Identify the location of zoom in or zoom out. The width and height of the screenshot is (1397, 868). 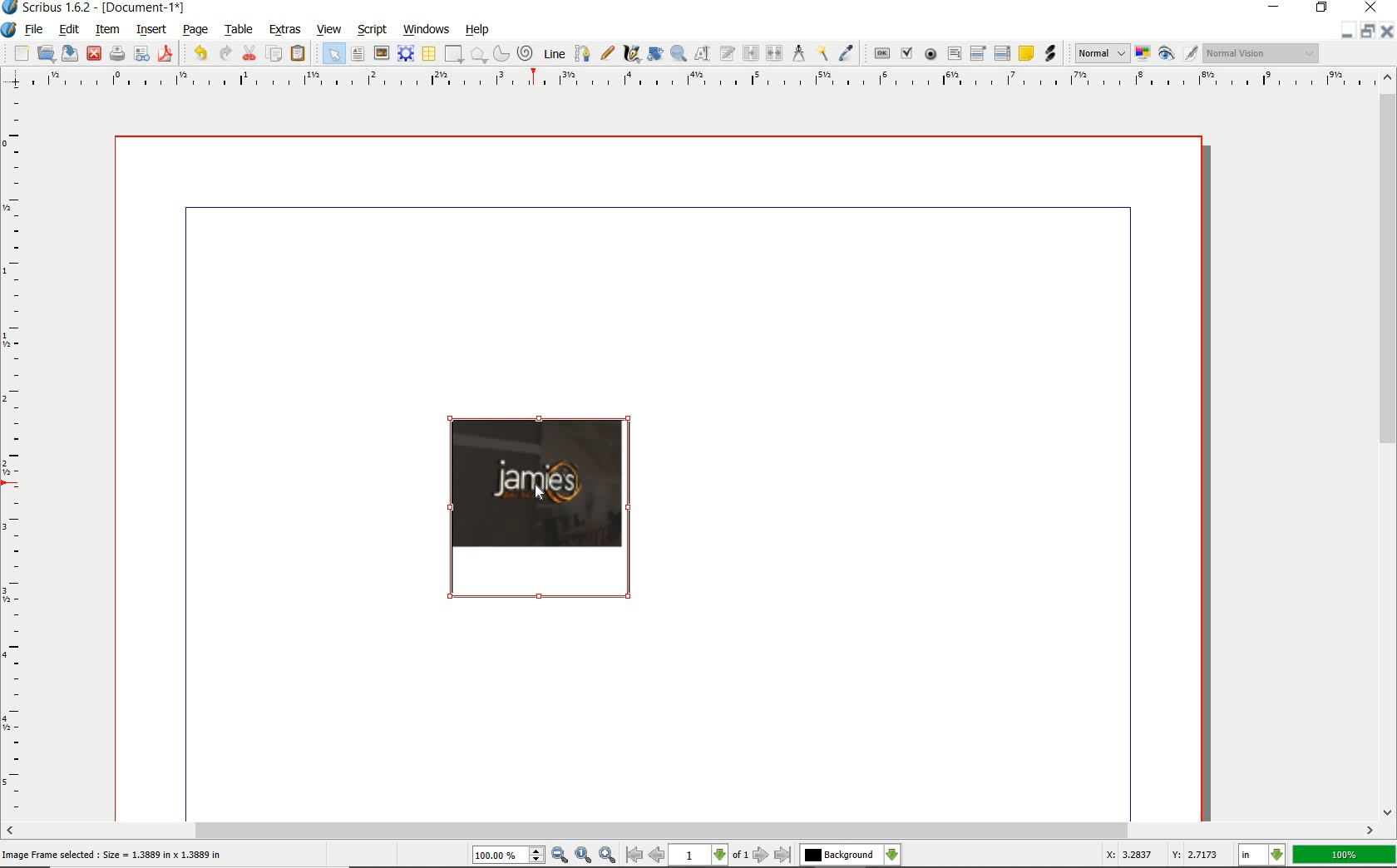
(679, 53).